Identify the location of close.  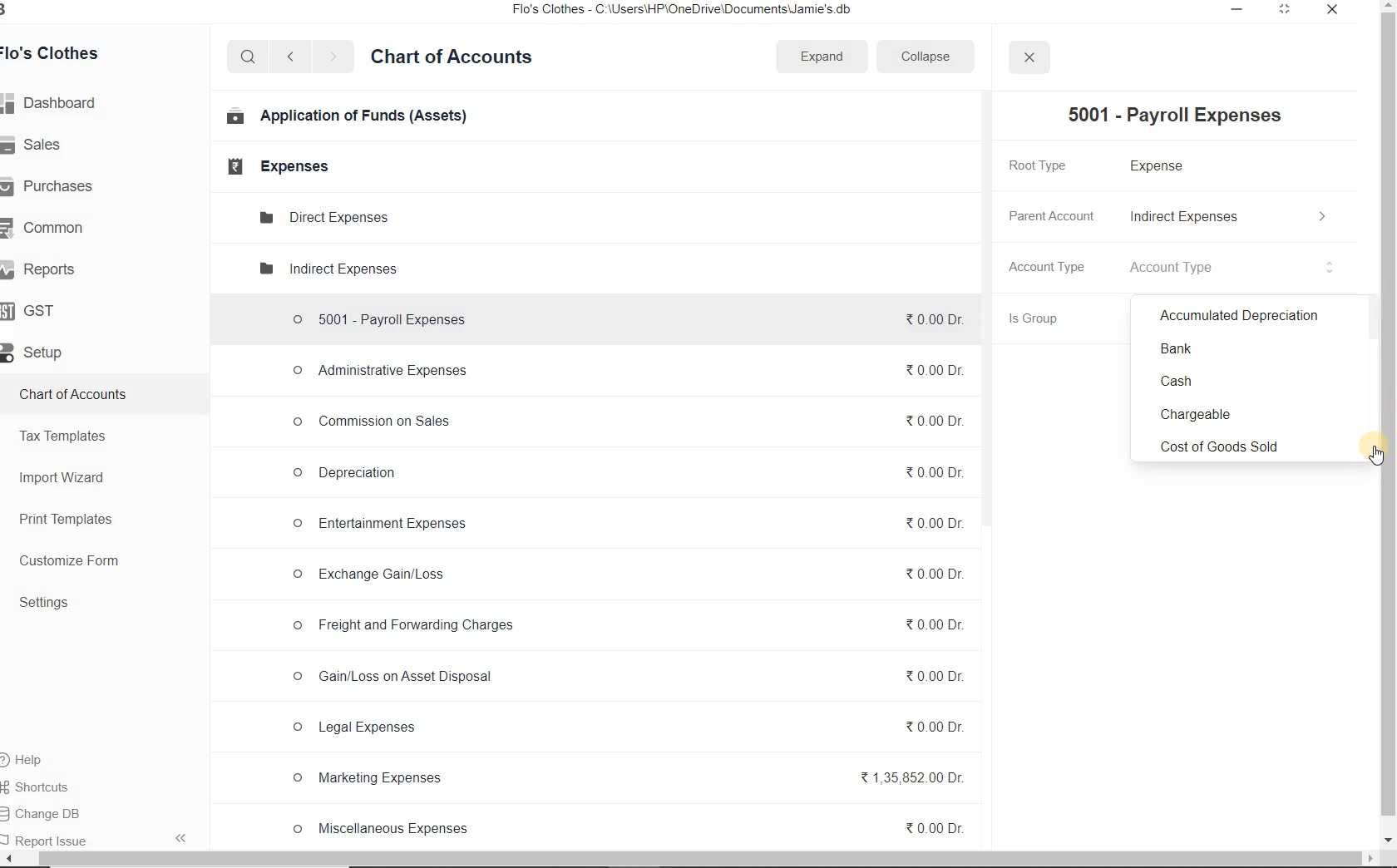
(1334, 10).